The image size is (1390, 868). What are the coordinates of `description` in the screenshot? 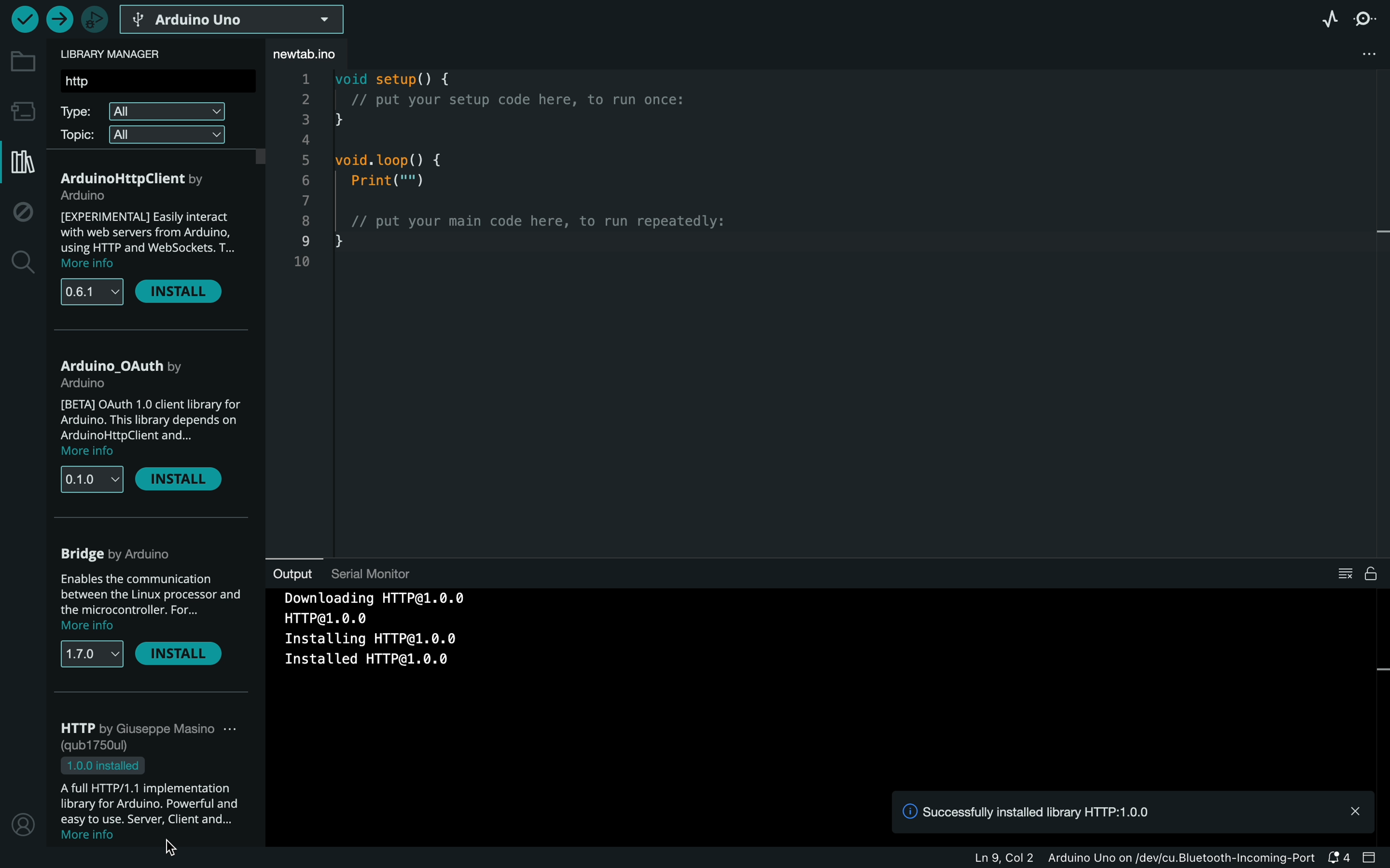 It's located at (147, 424).